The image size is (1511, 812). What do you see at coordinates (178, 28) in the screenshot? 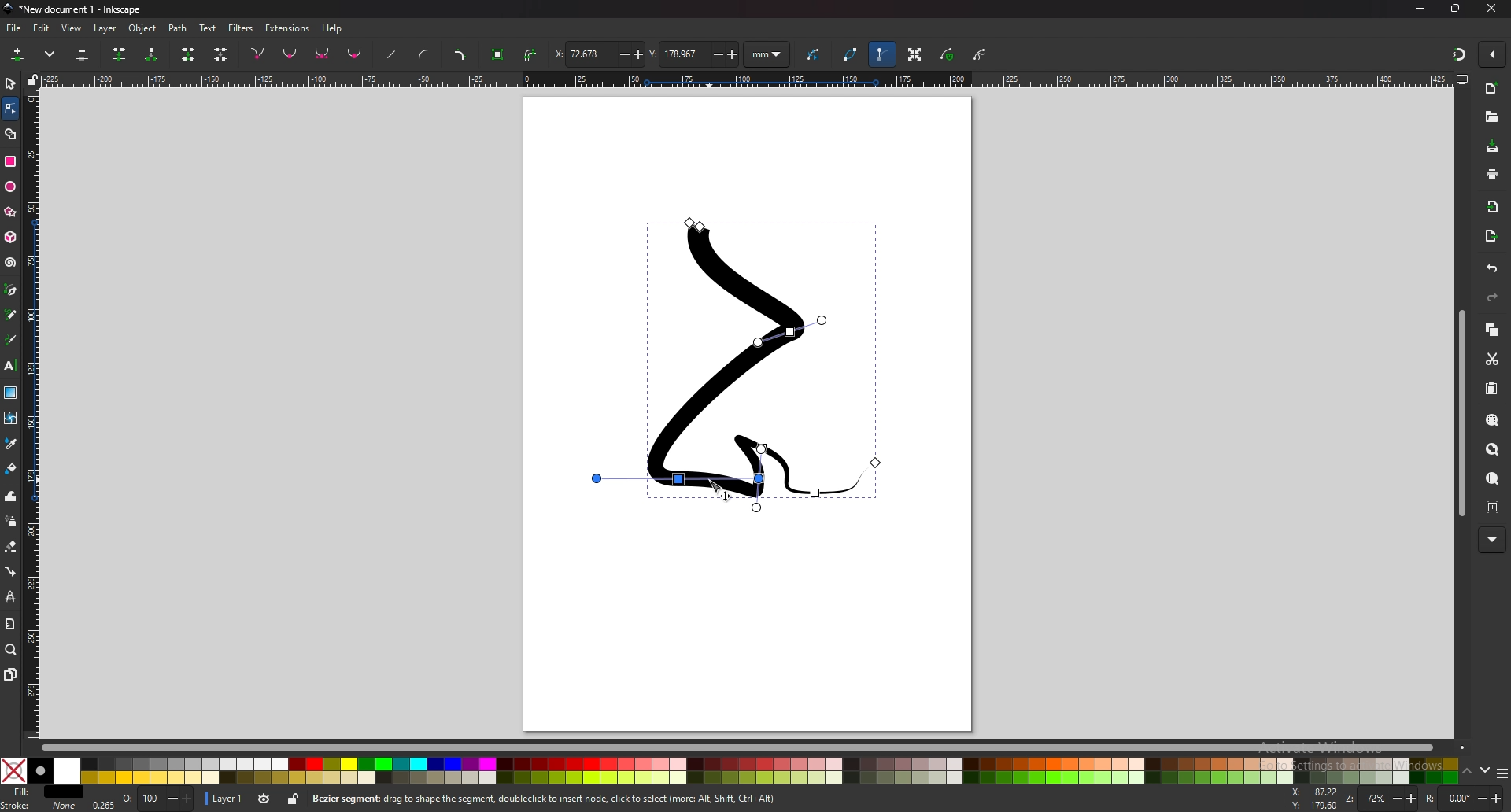
I see `path` at bounding box center [178, 28].